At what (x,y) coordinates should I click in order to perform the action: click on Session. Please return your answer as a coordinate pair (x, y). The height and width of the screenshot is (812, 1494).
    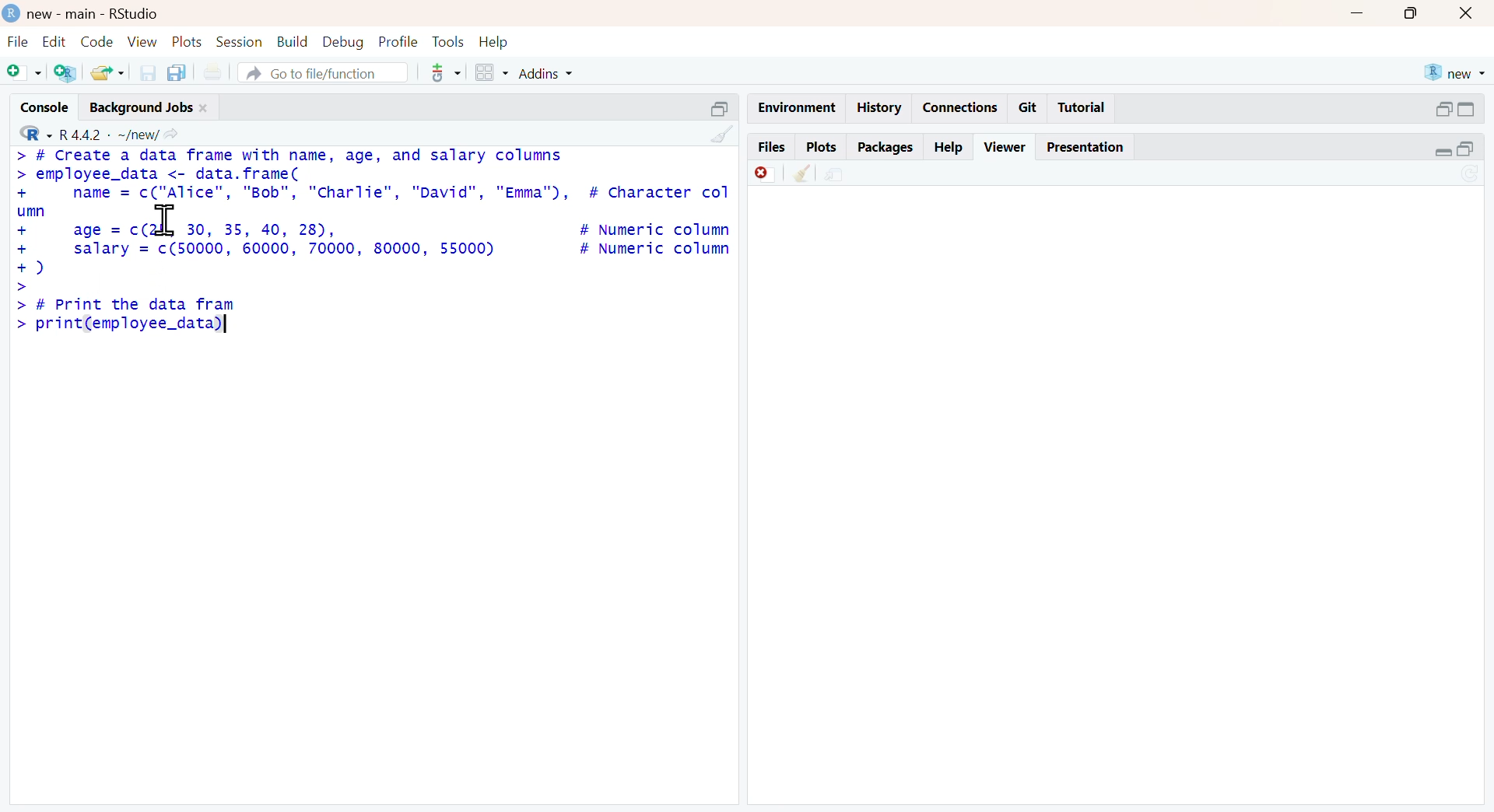
    Looking at the image, I should click on (239, 40).